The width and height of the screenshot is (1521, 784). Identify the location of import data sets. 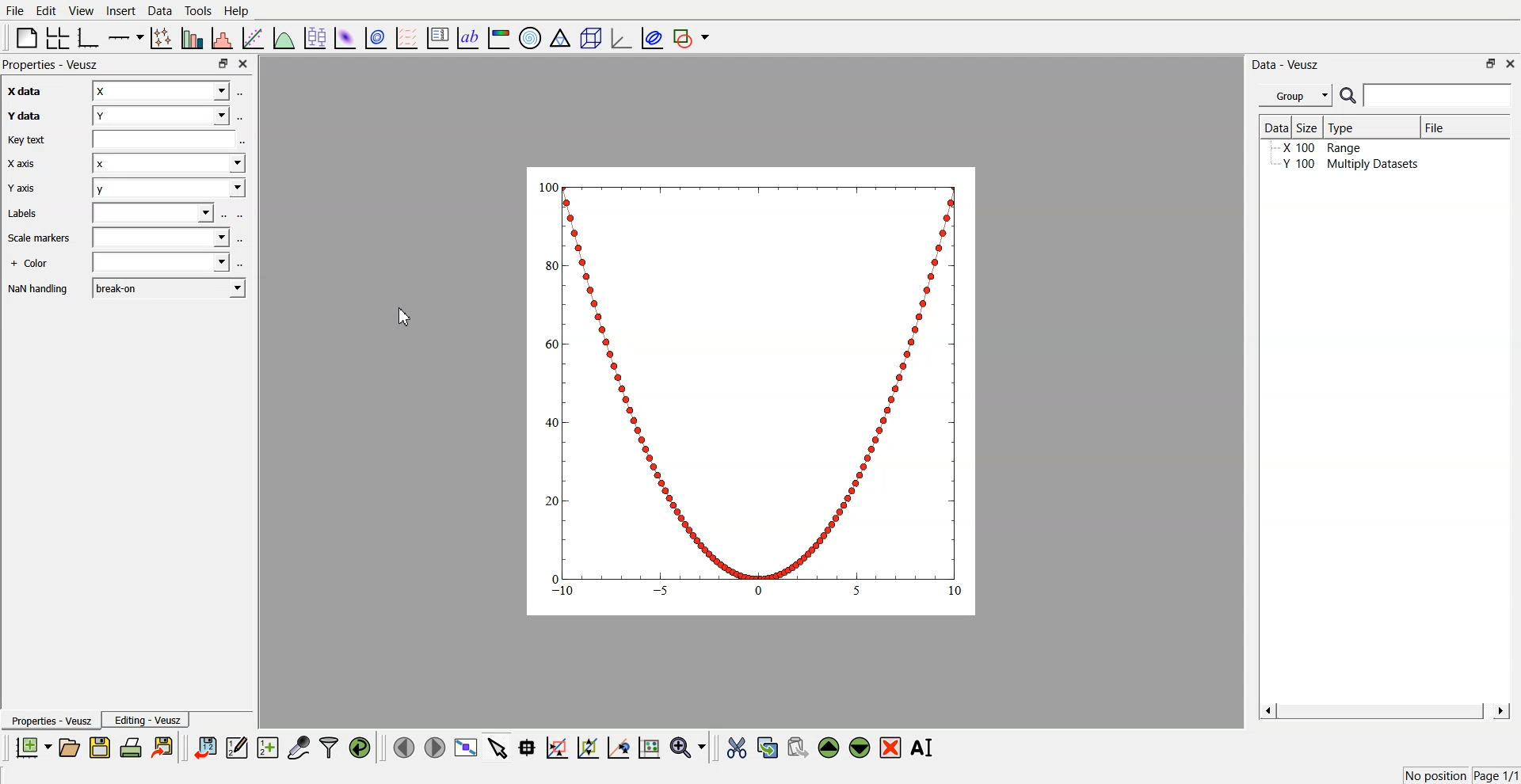
(204, 748).